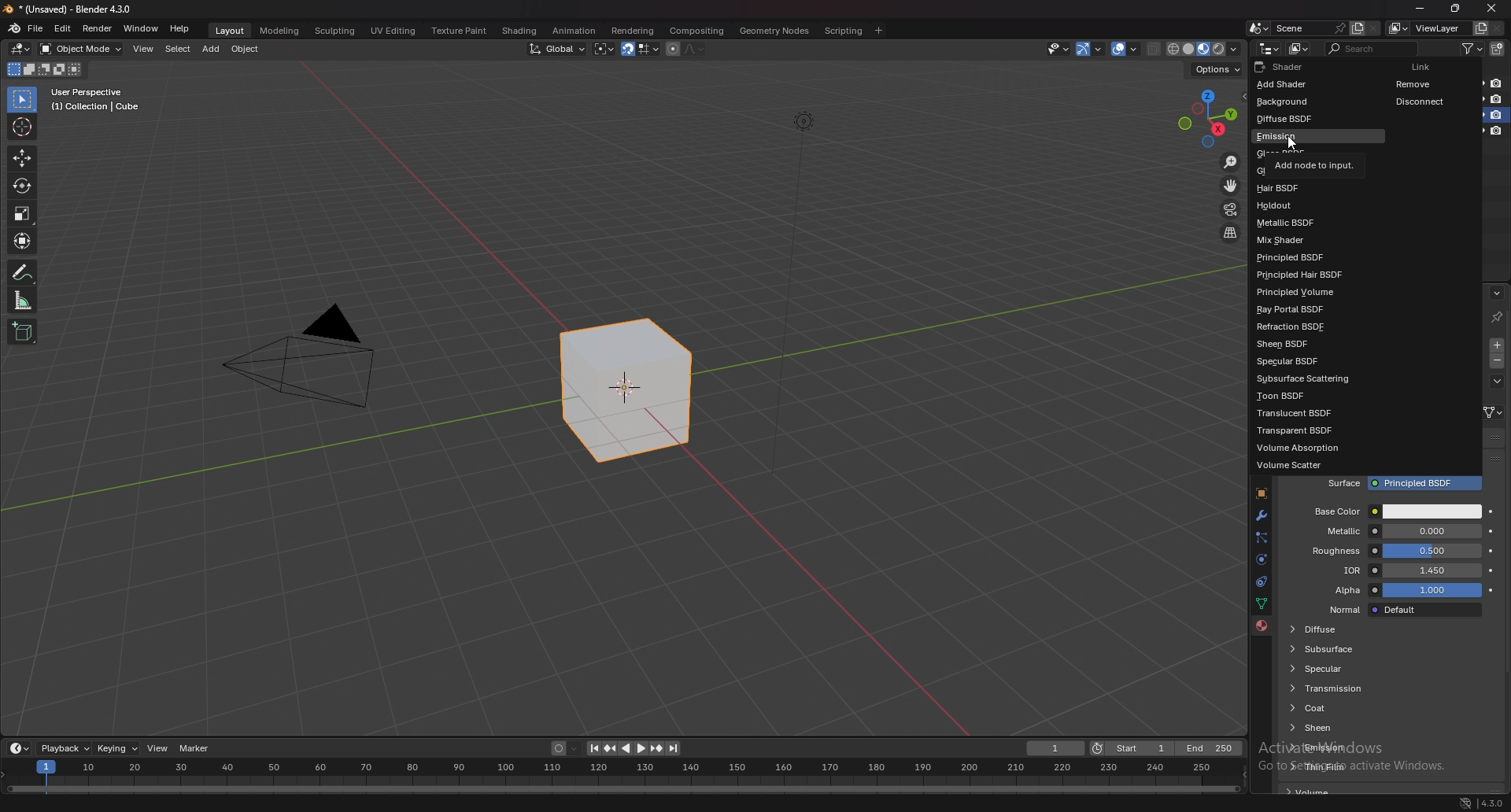 Image resolution: width=1511 pixels, height=812 pixels. Describe the element at coordinates (1321, 135) in the screenshot. I see `emission` at that location.